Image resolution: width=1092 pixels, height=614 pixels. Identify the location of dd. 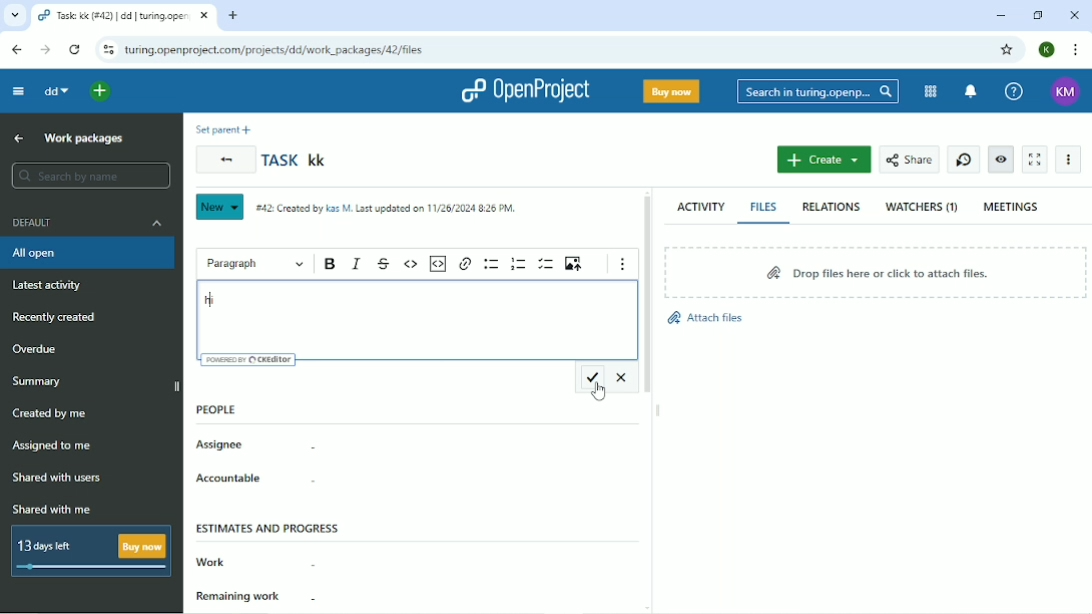
(58, 91).